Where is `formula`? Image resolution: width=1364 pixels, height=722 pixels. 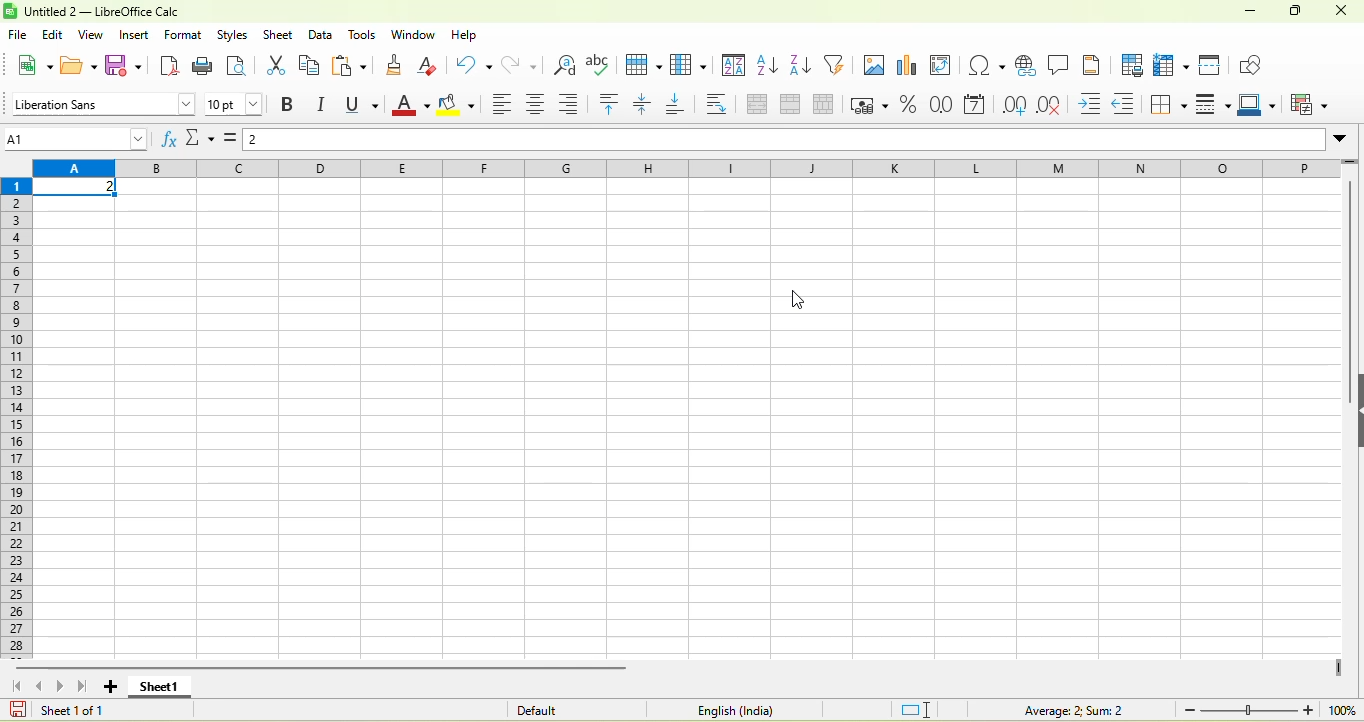
formula is located at coordinates (234, 143).